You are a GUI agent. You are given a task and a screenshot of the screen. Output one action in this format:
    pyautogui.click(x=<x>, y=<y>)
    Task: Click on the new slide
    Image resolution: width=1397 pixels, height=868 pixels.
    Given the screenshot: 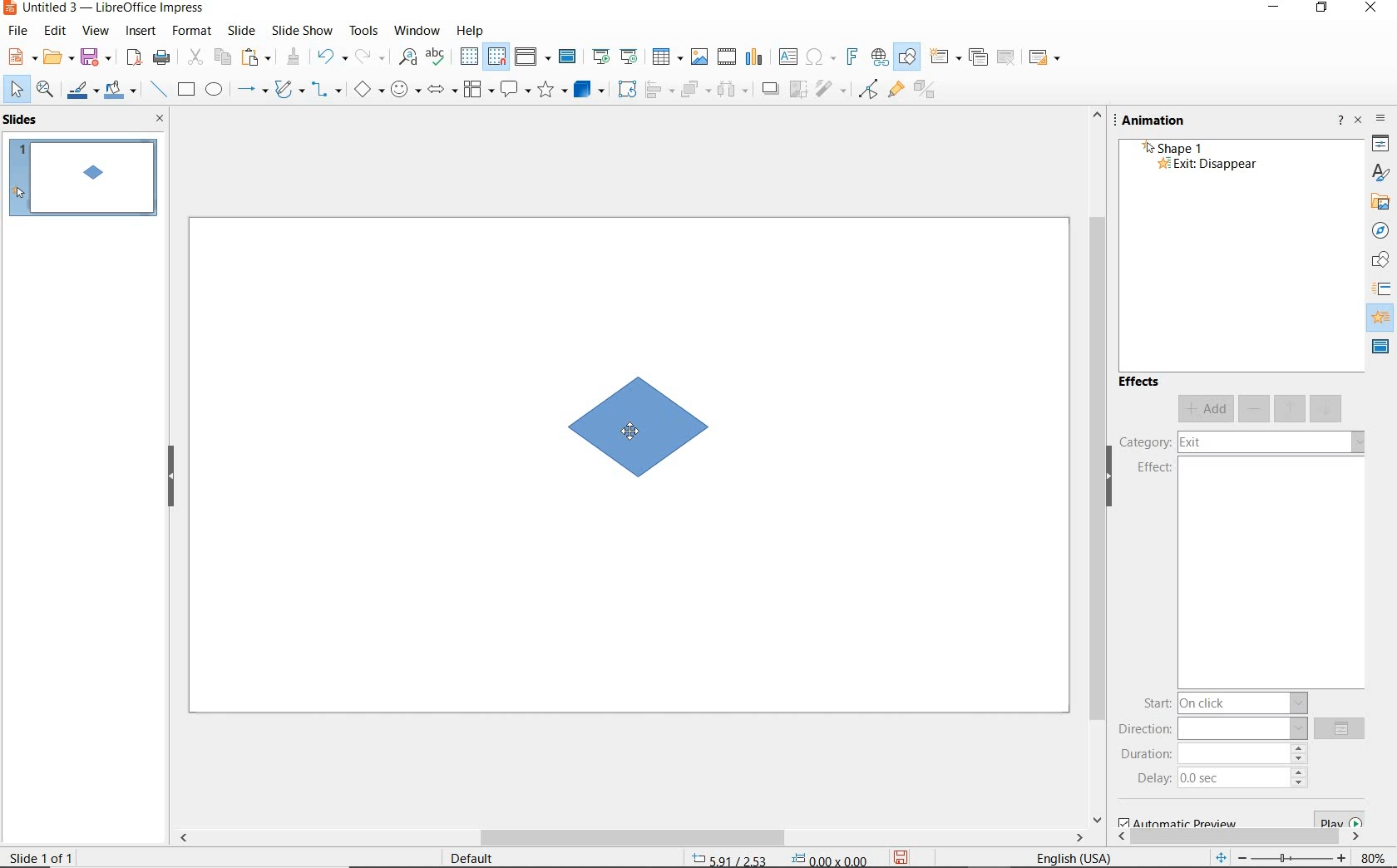 What is the action you would take?
    pyautogui.click(x=944, y=57)
    